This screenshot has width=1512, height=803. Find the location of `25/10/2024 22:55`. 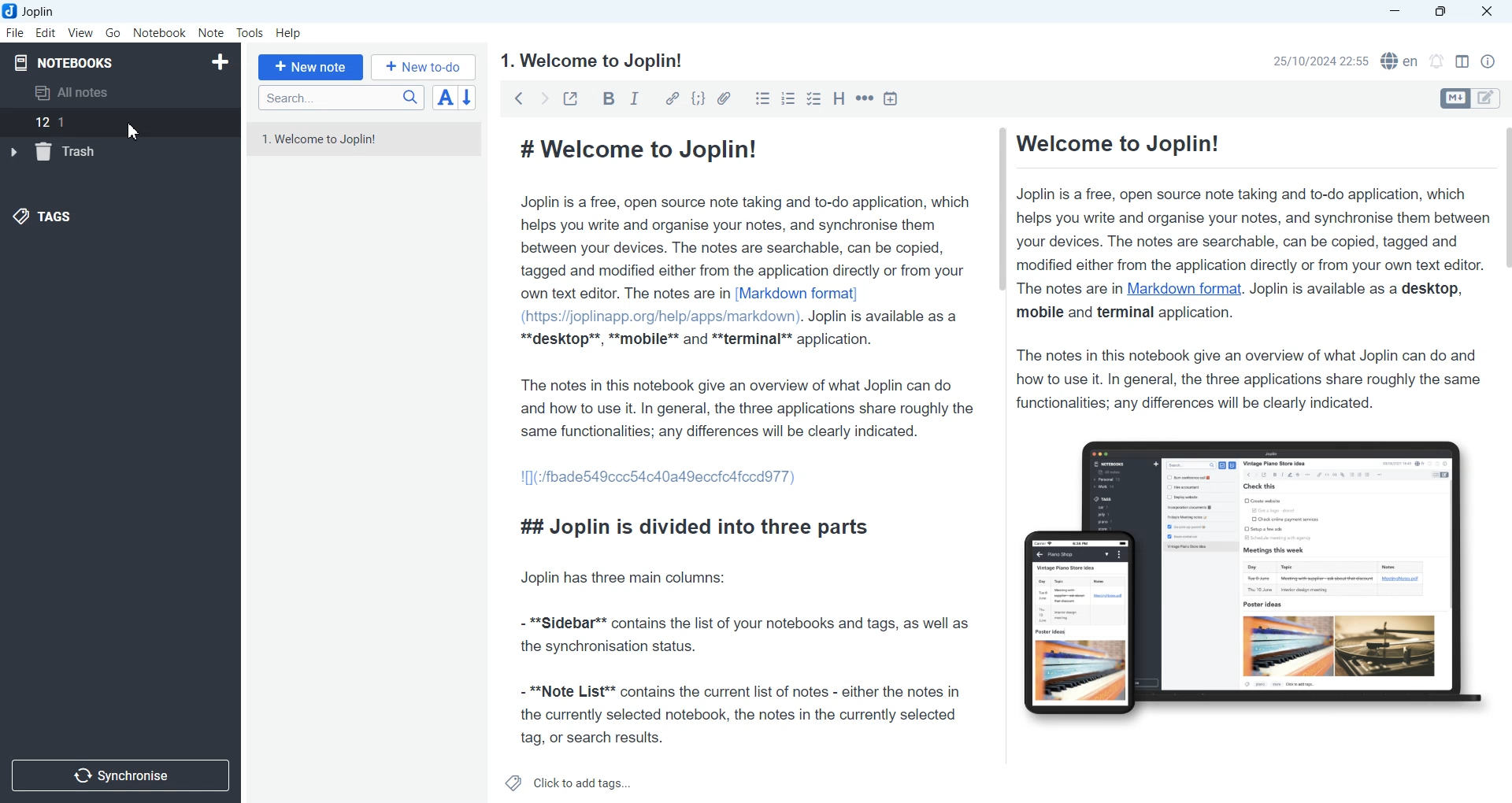

25/10/2024 22:55 is located at coordinates (1314, 62).